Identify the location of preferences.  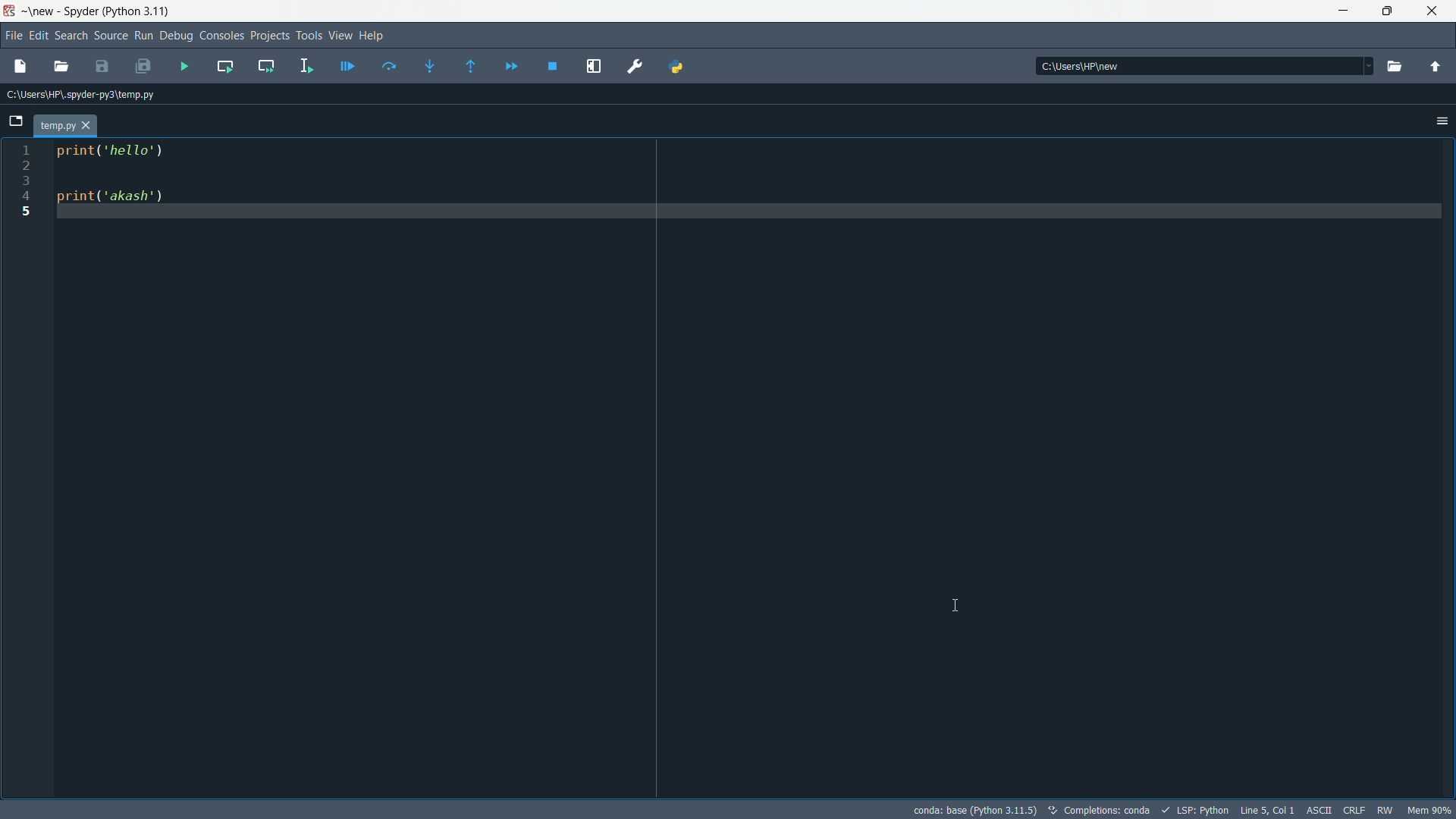
(638, 67).